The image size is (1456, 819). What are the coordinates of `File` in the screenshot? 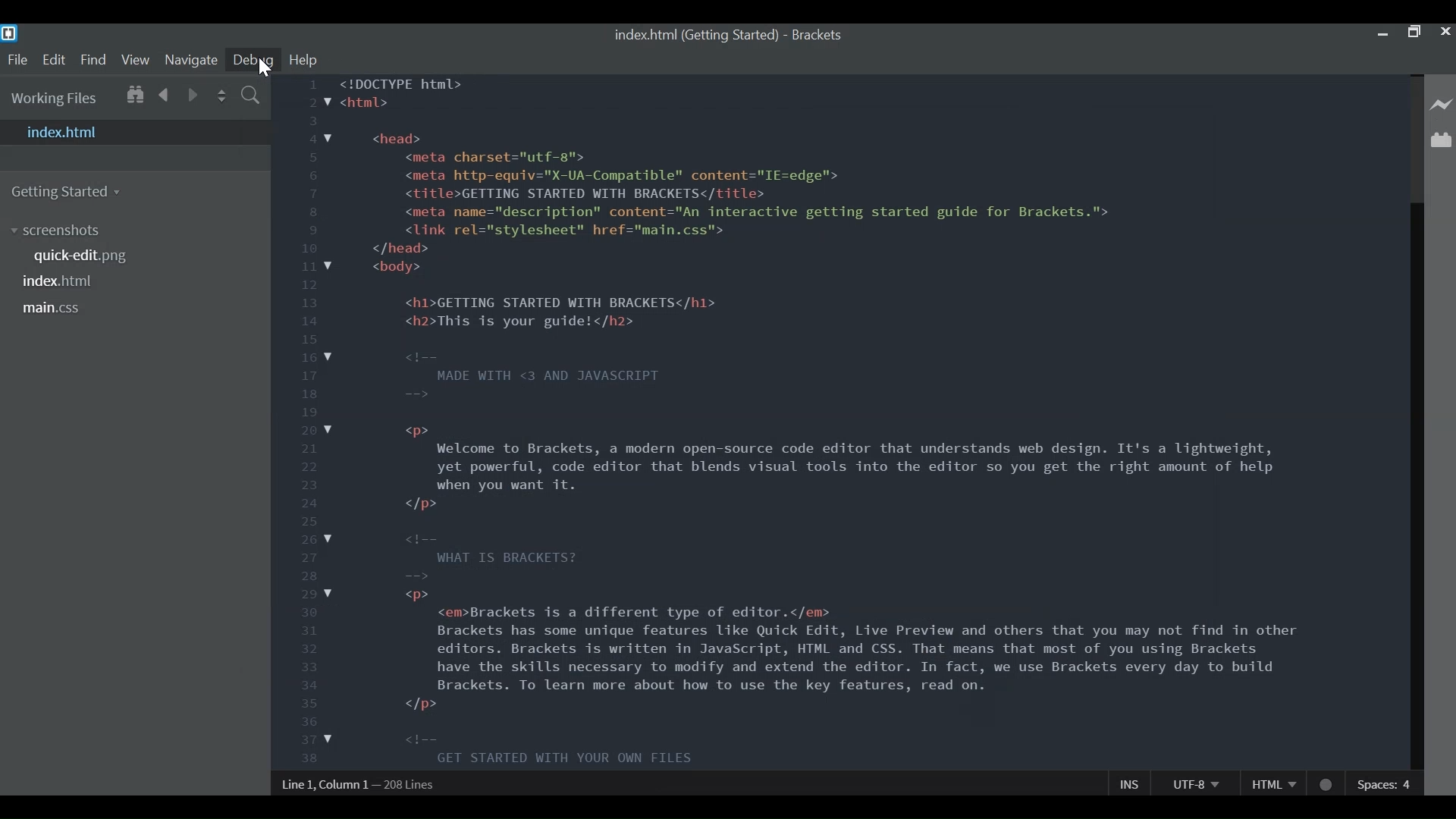 It's located at (17, 60).